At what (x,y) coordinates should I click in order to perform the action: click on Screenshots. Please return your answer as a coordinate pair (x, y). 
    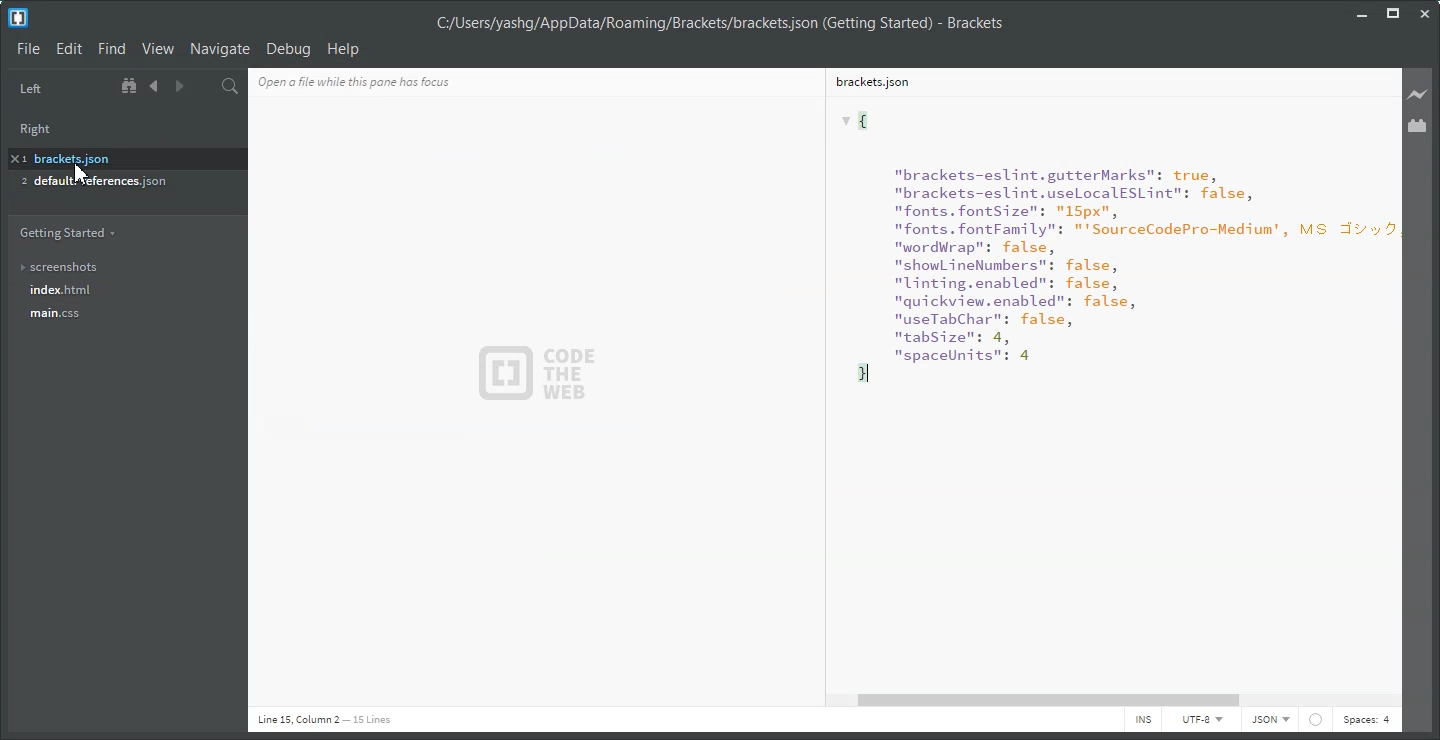
    Looking at the image, I should click on (121, 267).